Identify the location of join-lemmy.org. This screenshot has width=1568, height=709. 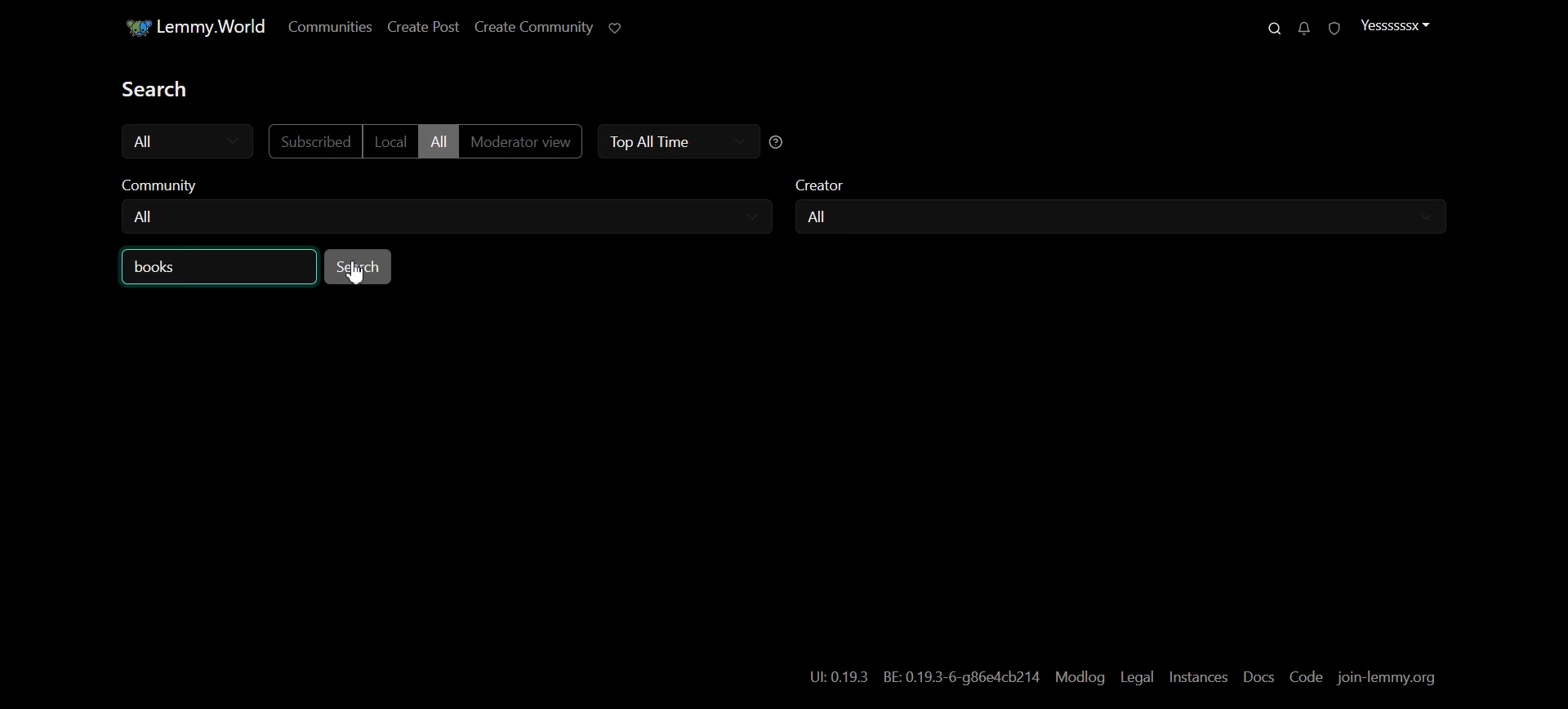
(1388, 678).